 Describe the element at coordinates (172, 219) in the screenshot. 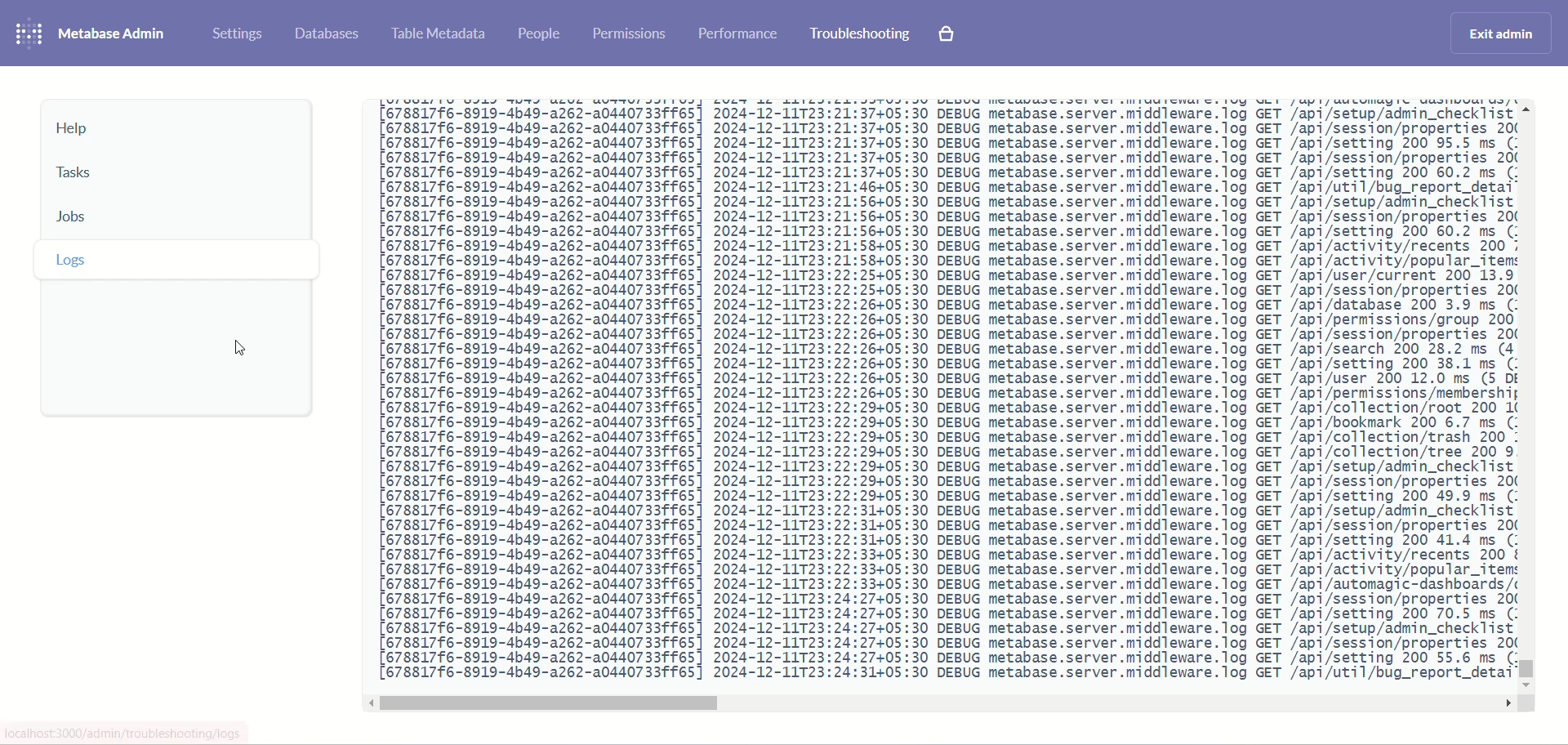

I see `jobs` at that location.